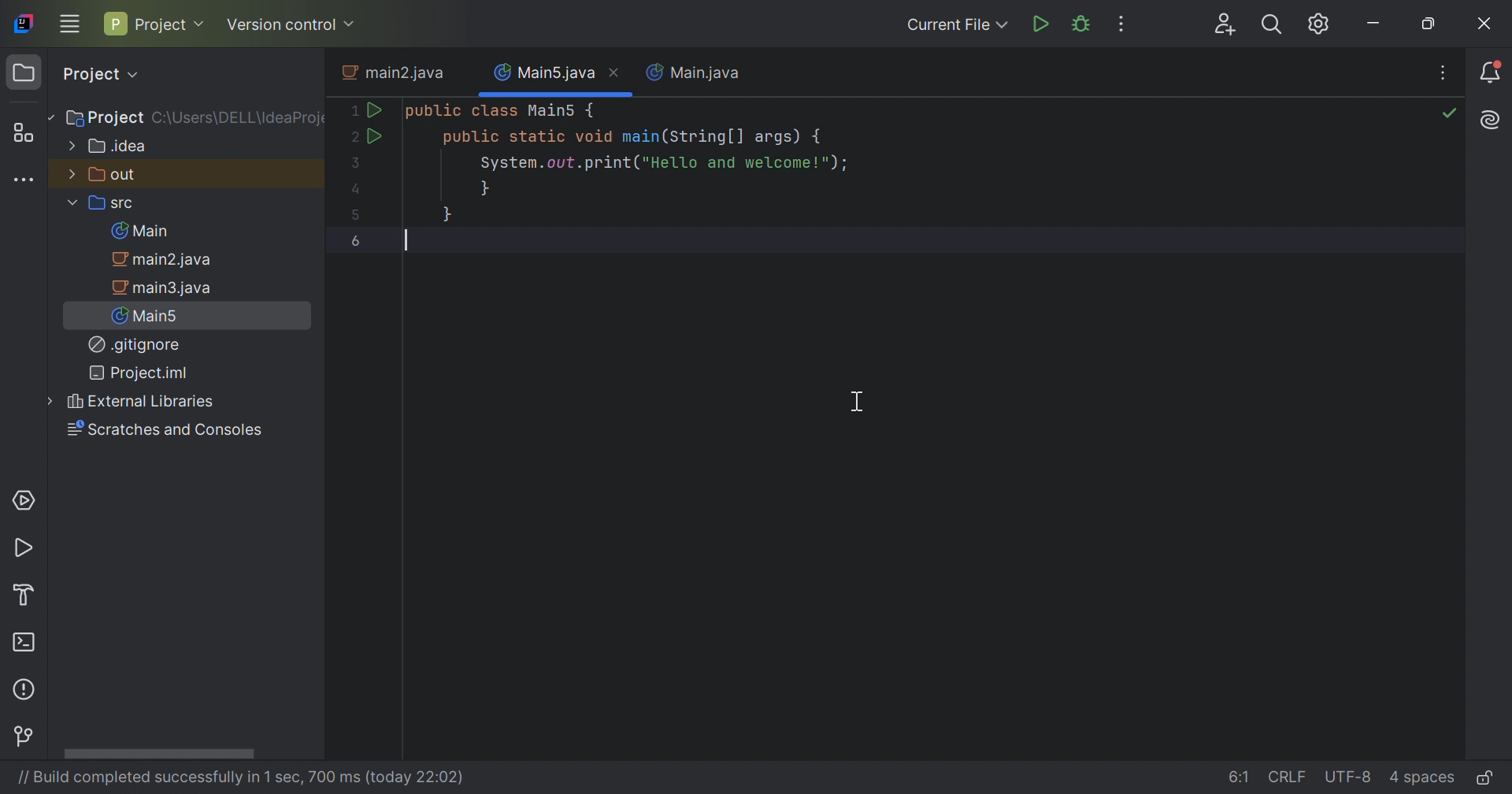 This screenshot has height=794, width=1512. I want to click on External Libraries, so click(142, 401).